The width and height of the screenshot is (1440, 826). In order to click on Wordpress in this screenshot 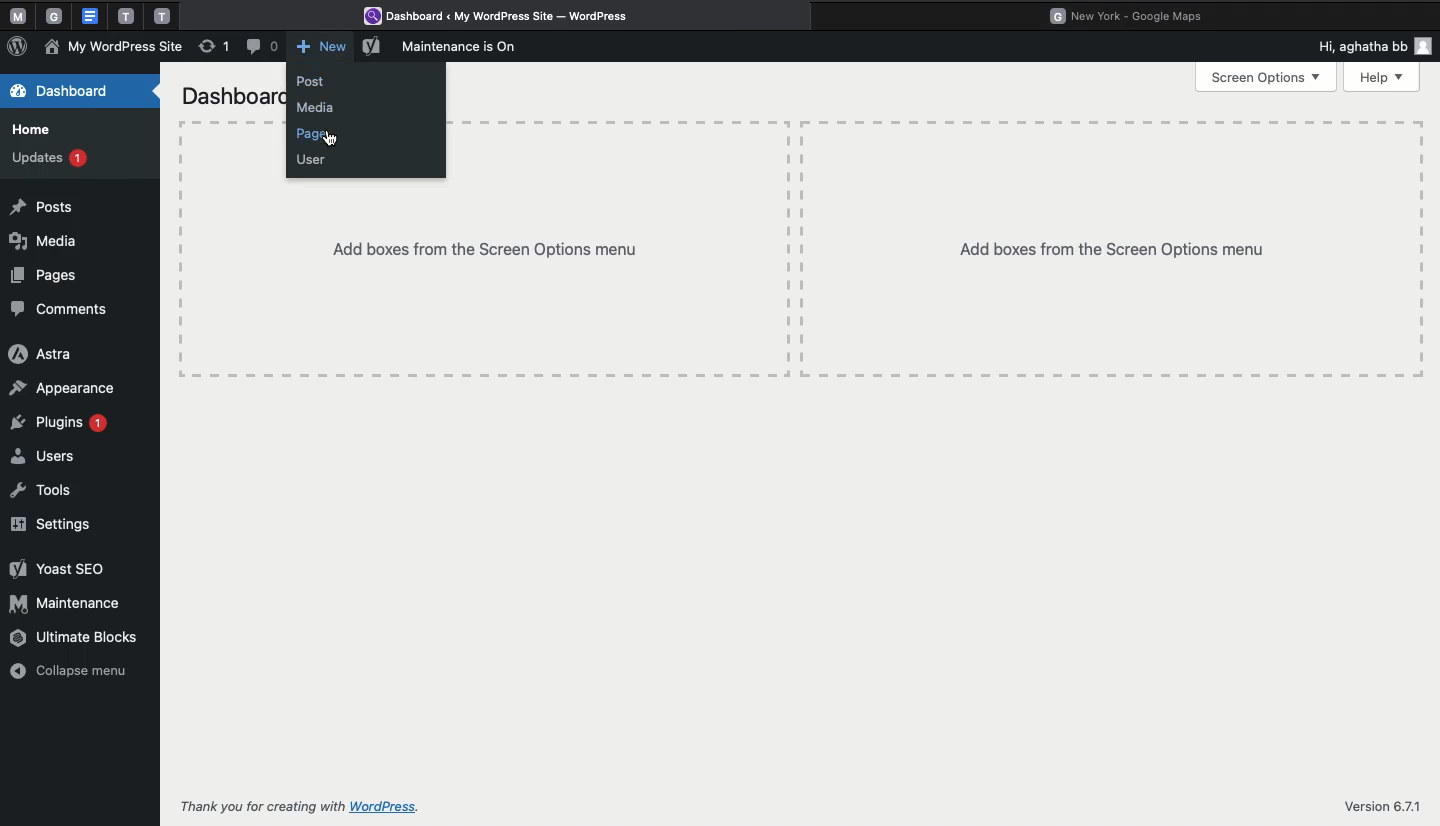, I will do `click(504, 17)`.